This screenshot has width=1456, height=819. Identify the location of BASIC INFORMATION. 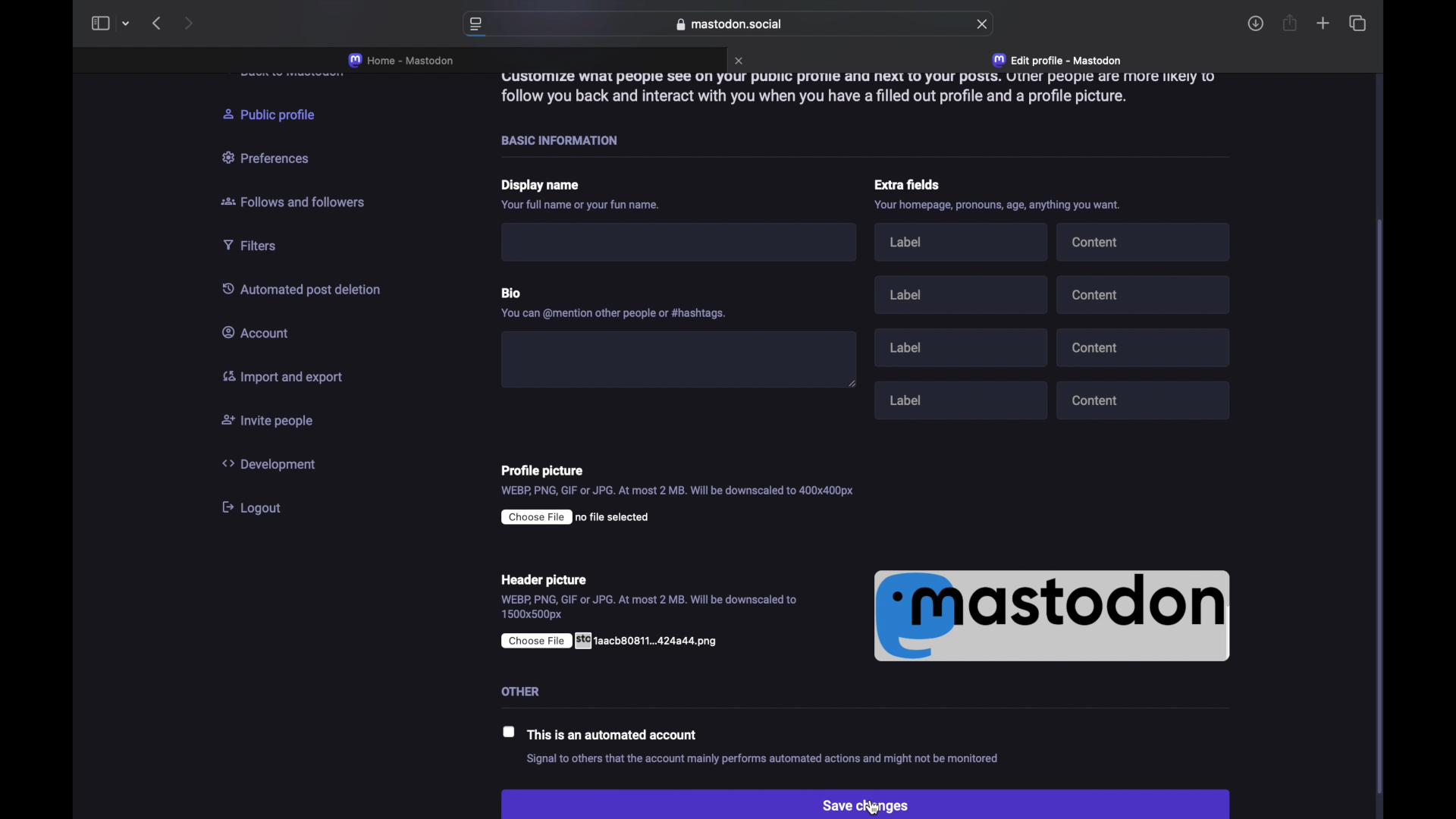
(560, 140).